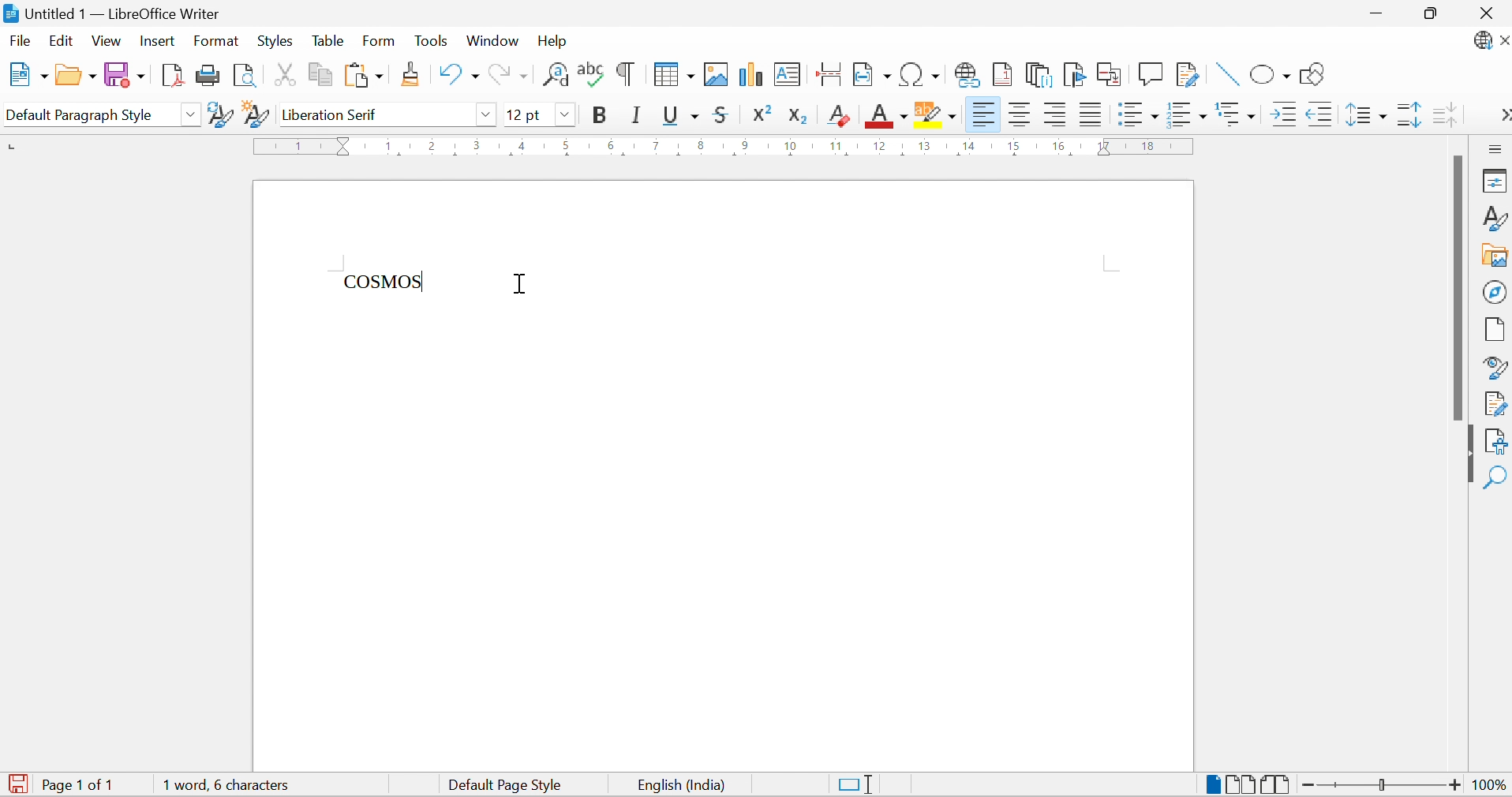 Image resolution: width=1512 pixels, height=797 pixels. What do you see at coordinates (556, 75) in the screenshot?
I see `Find and Replace` at bounding box center [556, 75].